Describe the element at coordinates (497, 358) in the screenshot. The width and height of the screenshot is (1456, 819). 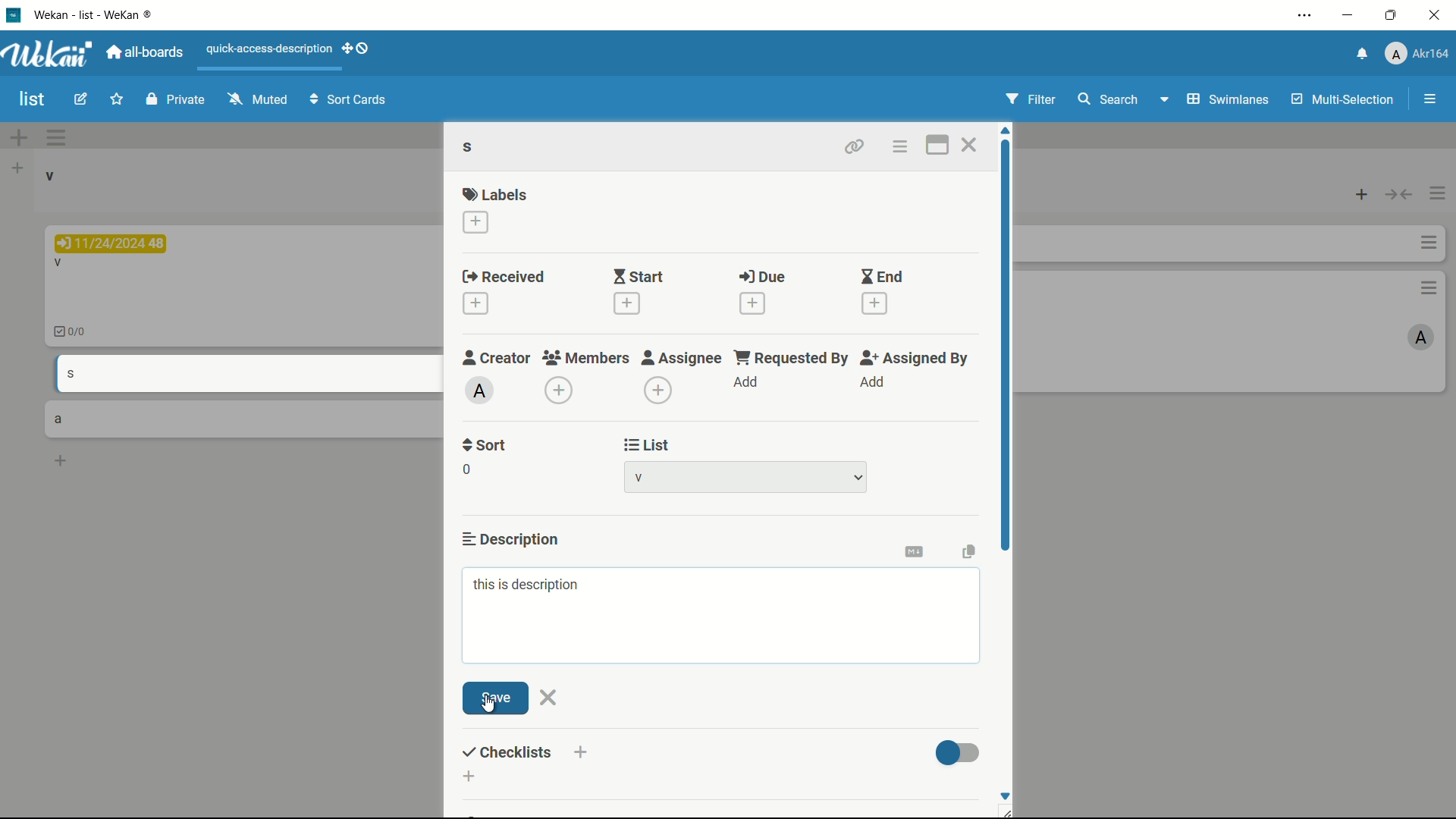
I see `creator` at that location.